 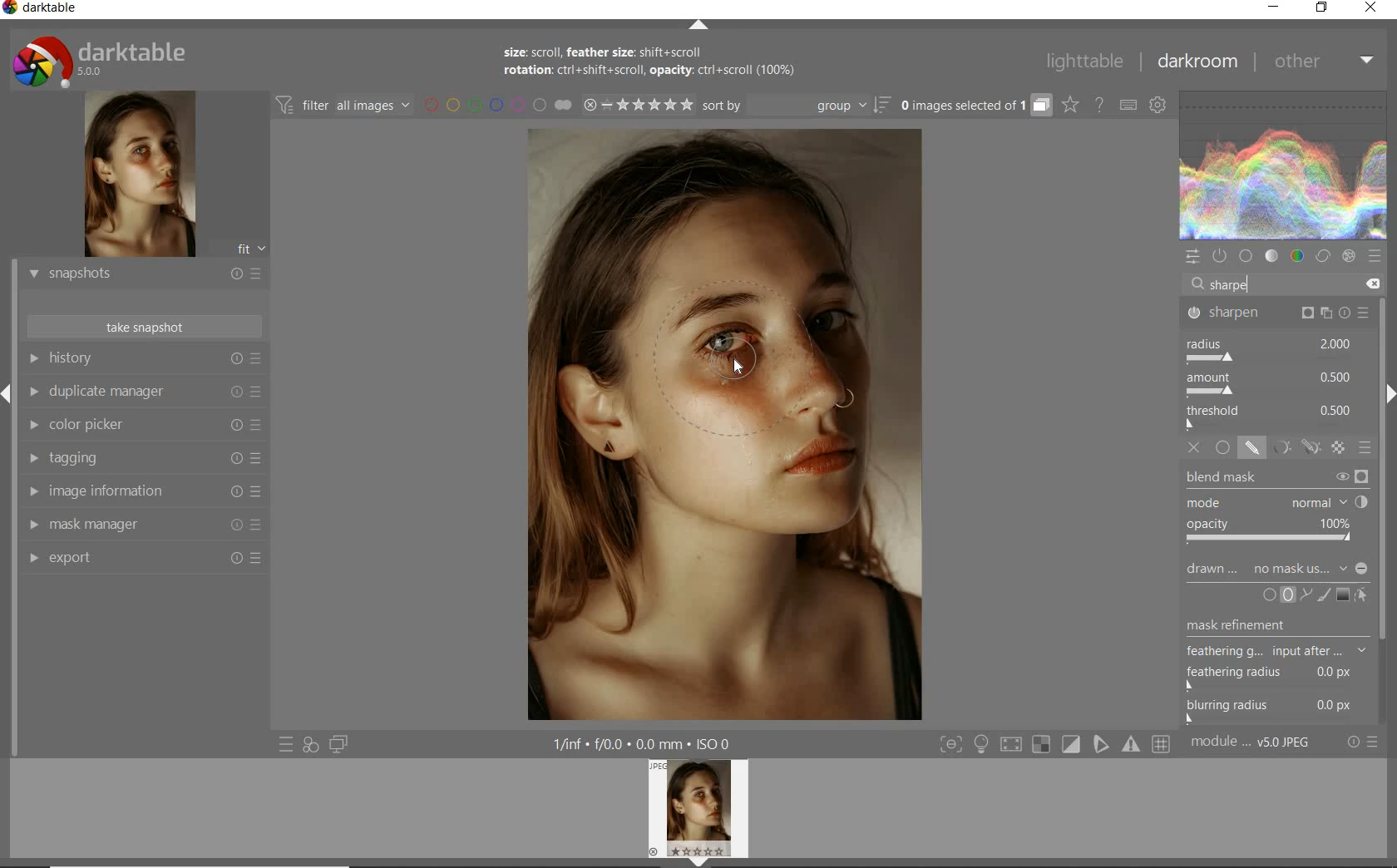 What do you see at coordinates (1321, 60) in the screenshot?
I see `other` at bounding box center [1321, 60].